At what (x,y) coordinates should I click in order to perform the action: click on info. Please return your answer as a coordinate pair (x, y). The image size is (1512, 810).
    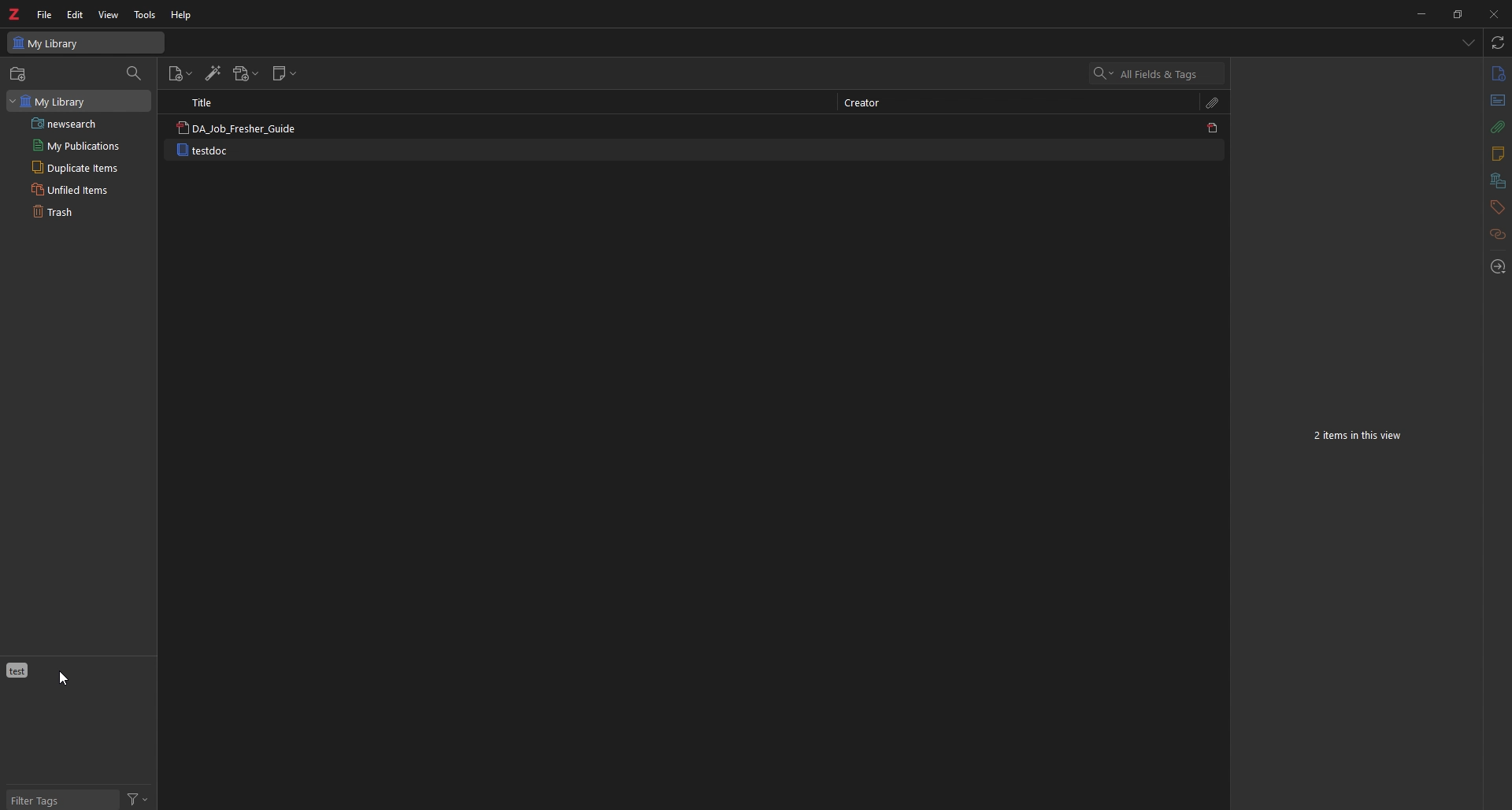
    Looking at the image, I should click on (1498, 74).